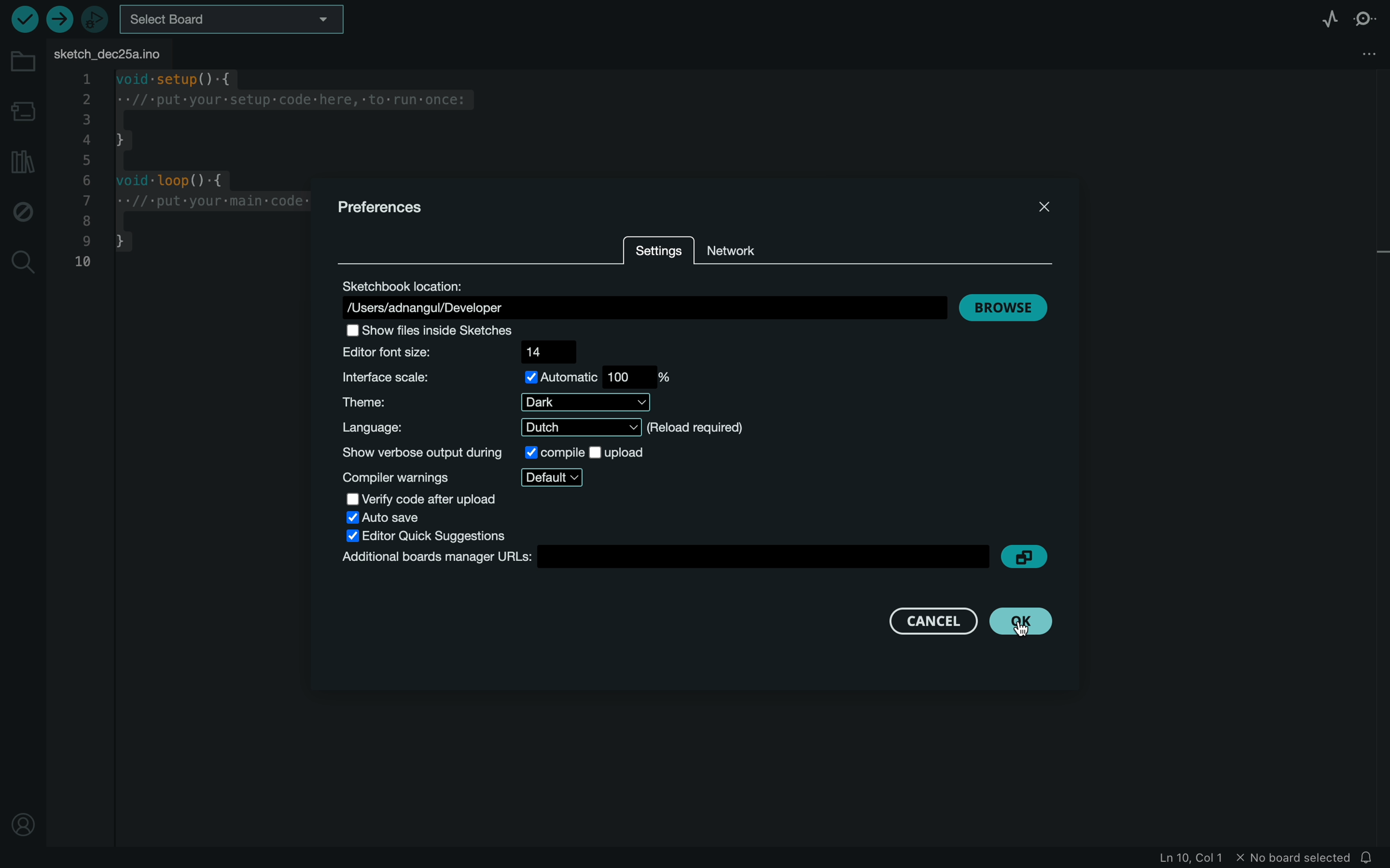 Image resolution: width=1390 pixels, height=868 pixels. Describe the element at coordinates (95, 19) in the screenshot. I see `debugger` at that location.